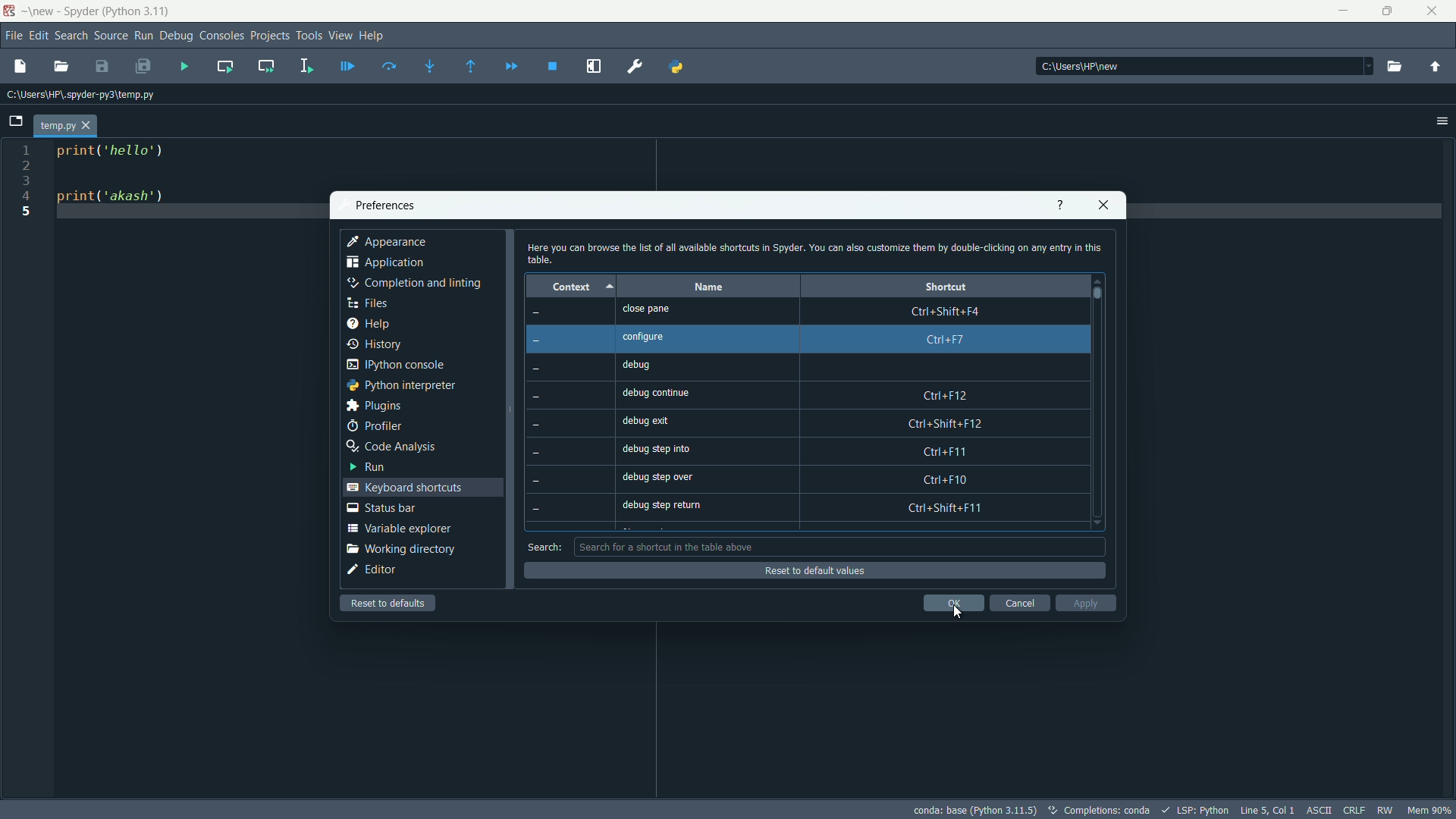  I want to click on Menu-list Caret , so click(1364, 66).